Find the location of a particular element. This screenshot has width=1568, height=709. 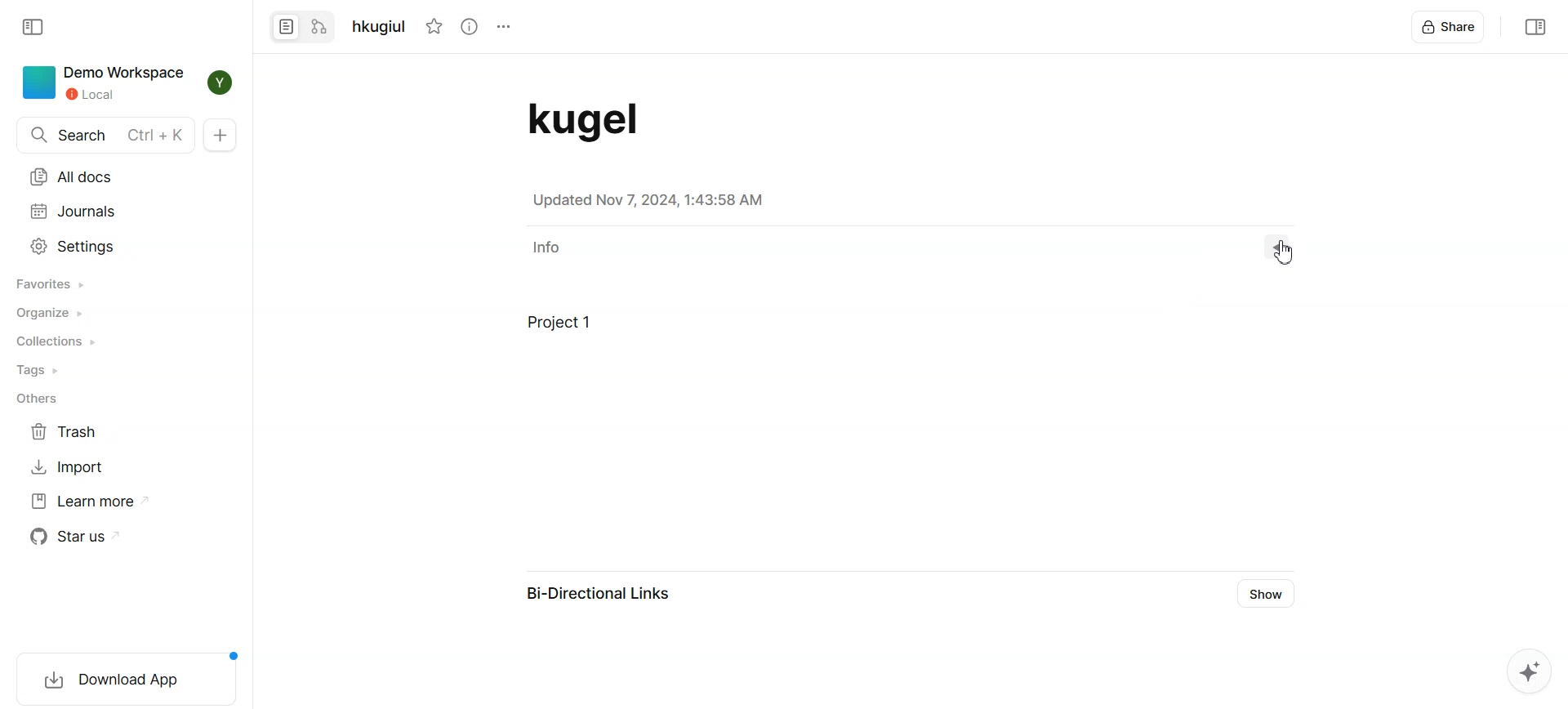

Collapse sidebar is located at coordinates (32, 28).